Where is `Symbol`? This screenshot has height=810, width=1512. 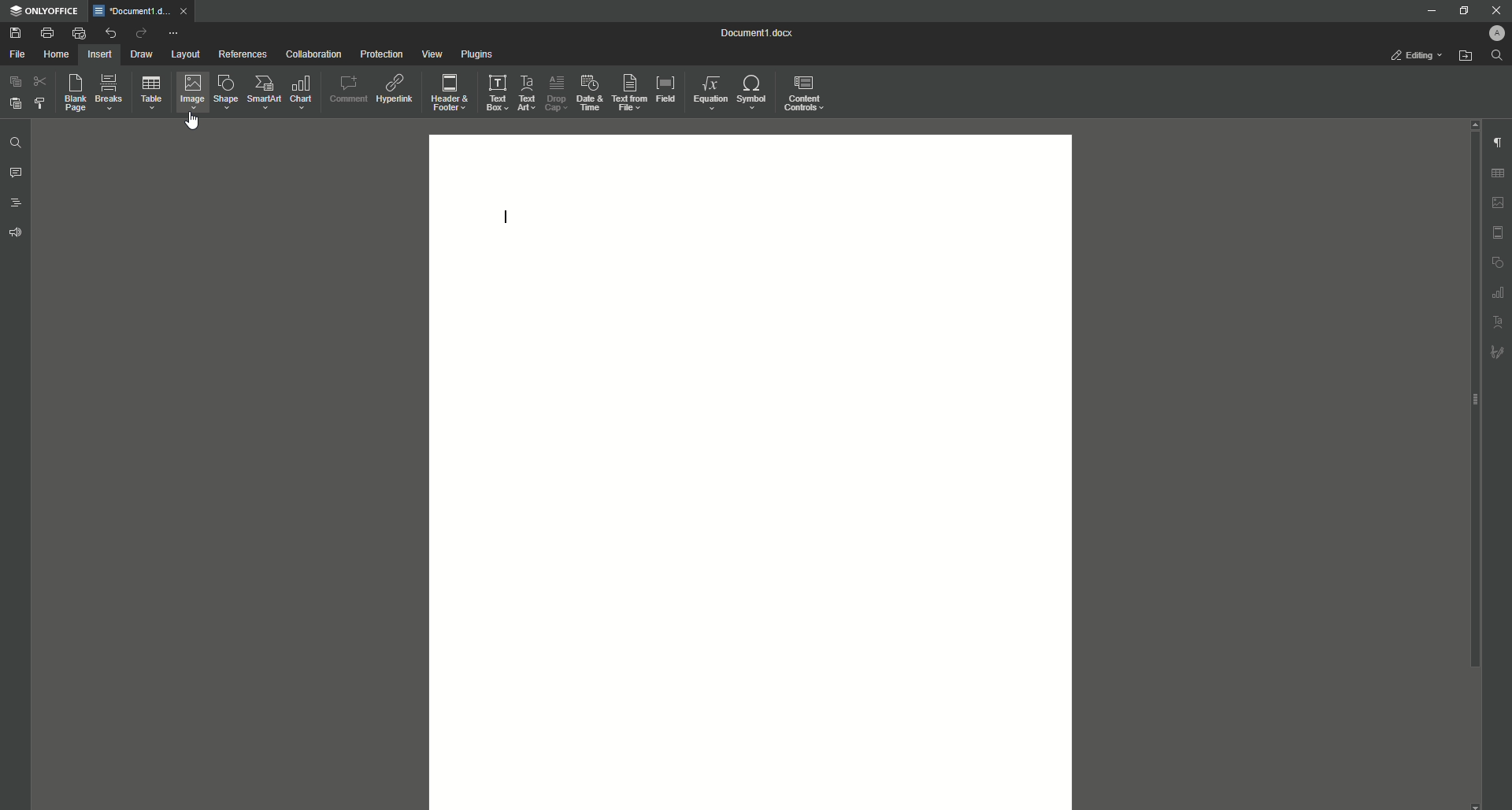
Symbol is located at coordinates (754, 91).